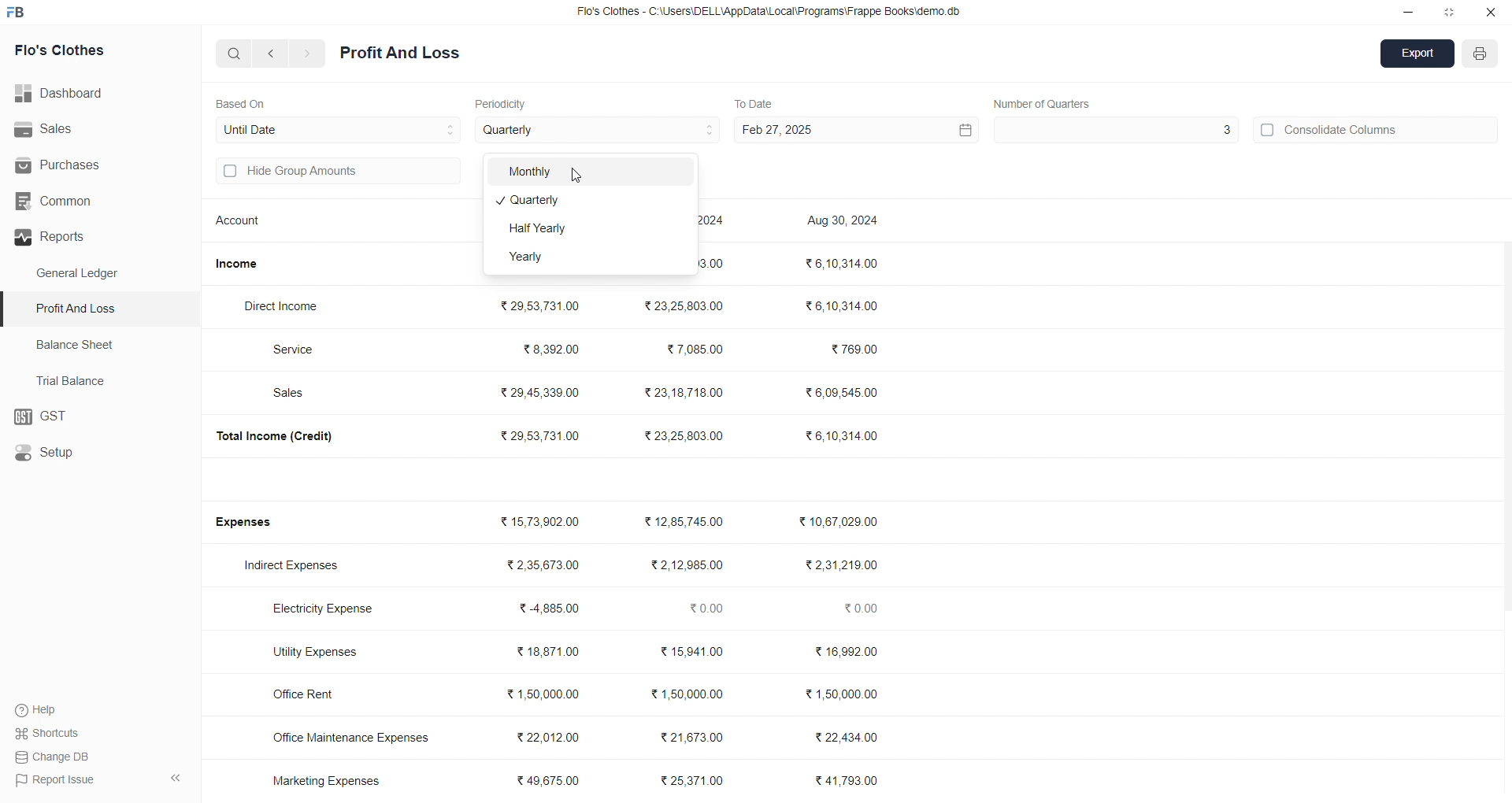  What do you see at coordinates (845, 393) in the screenshot?
I see `₹6,09,545.00` at bounding box center [845, 393].